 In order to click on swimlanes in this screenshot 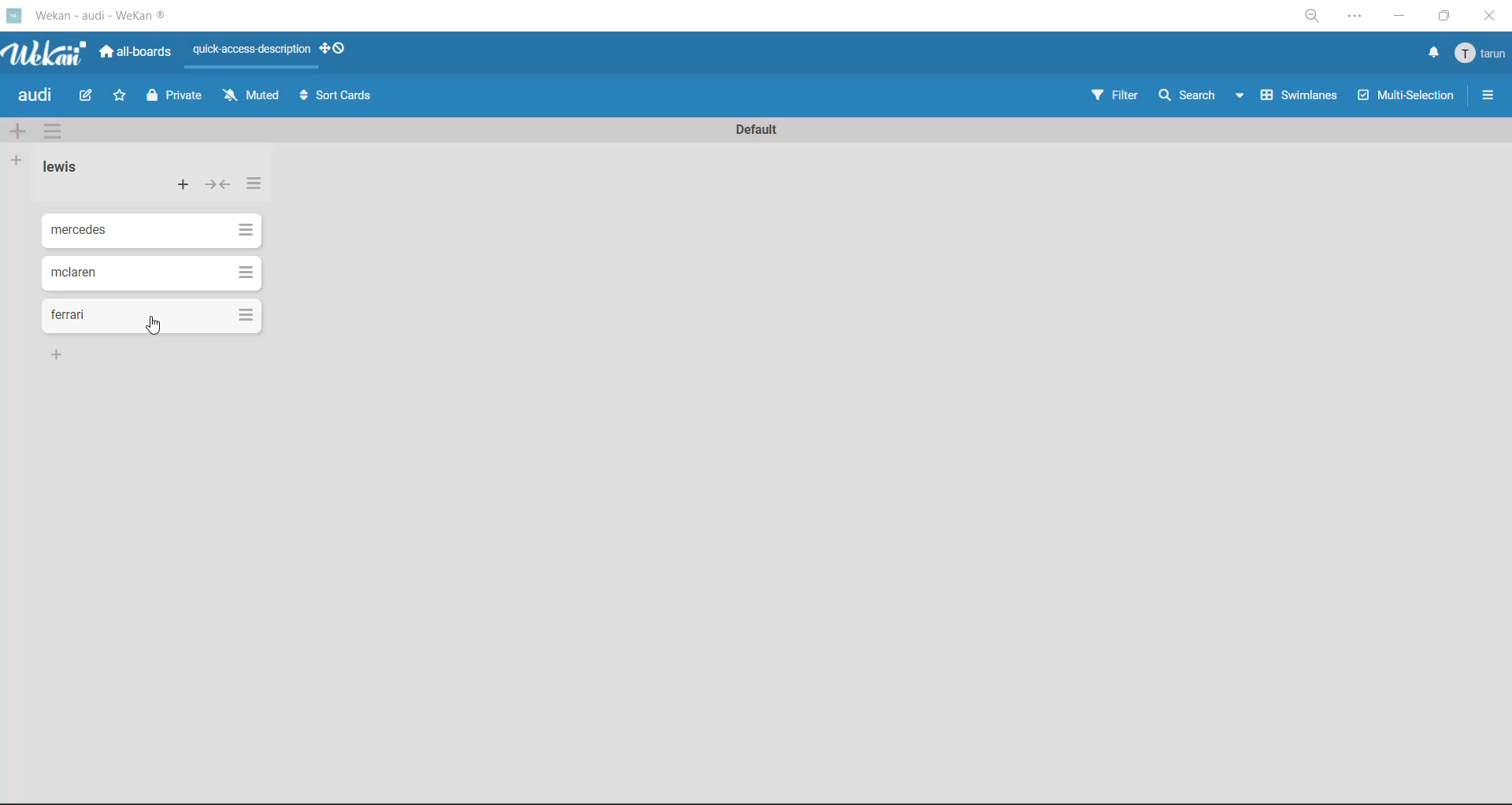, I will do `click(1300, 95)`.